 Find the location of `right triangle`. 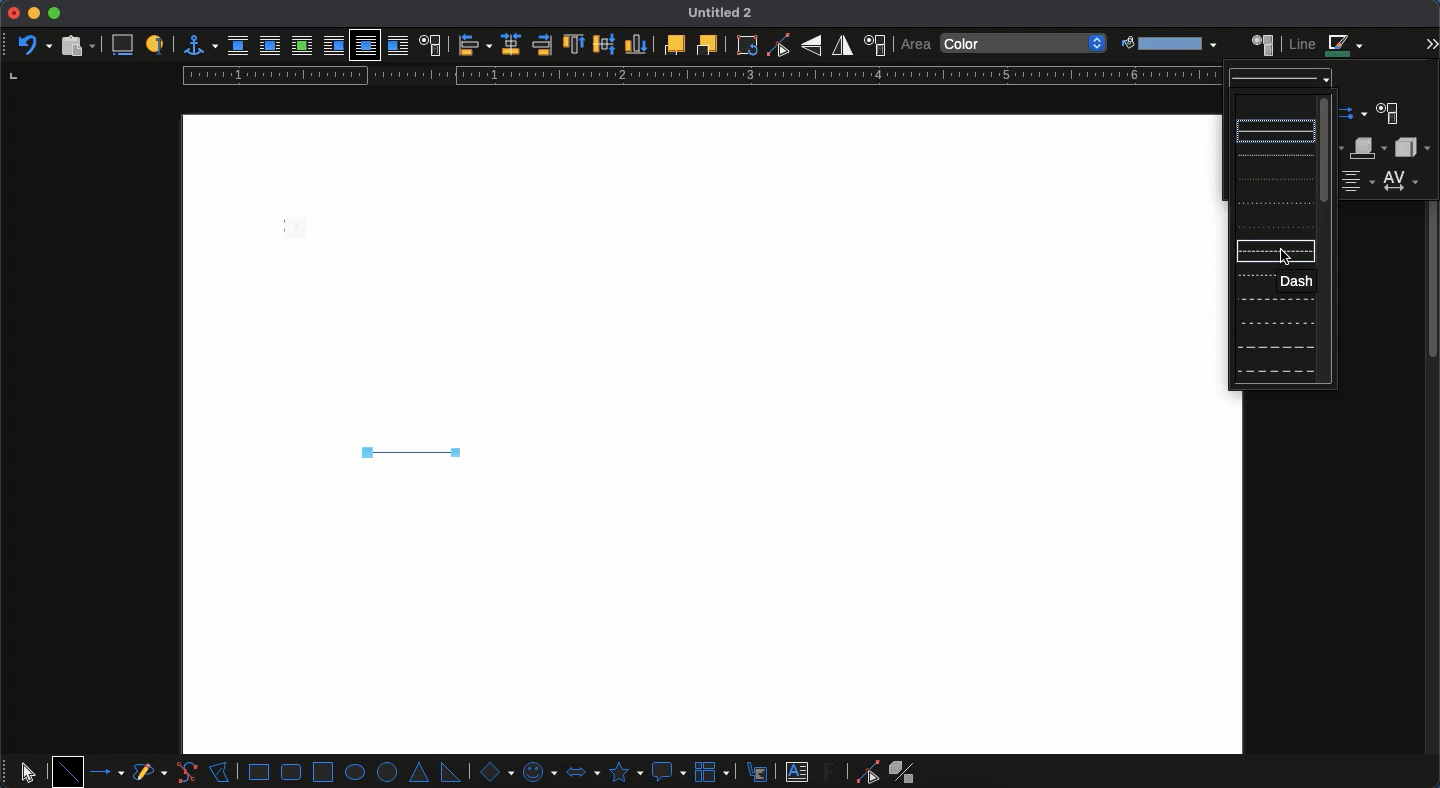

right triangle is located at coordinates (450, 771).